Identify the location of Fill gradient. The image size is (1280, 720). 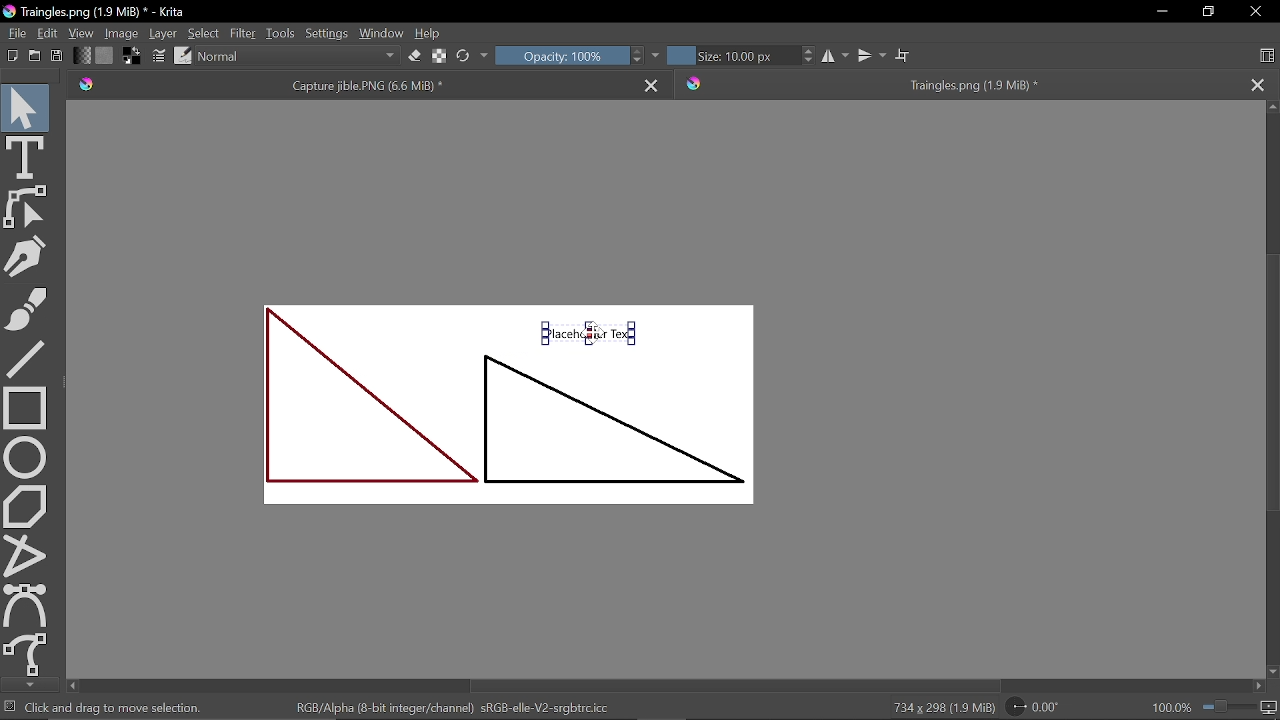
(83, 56).